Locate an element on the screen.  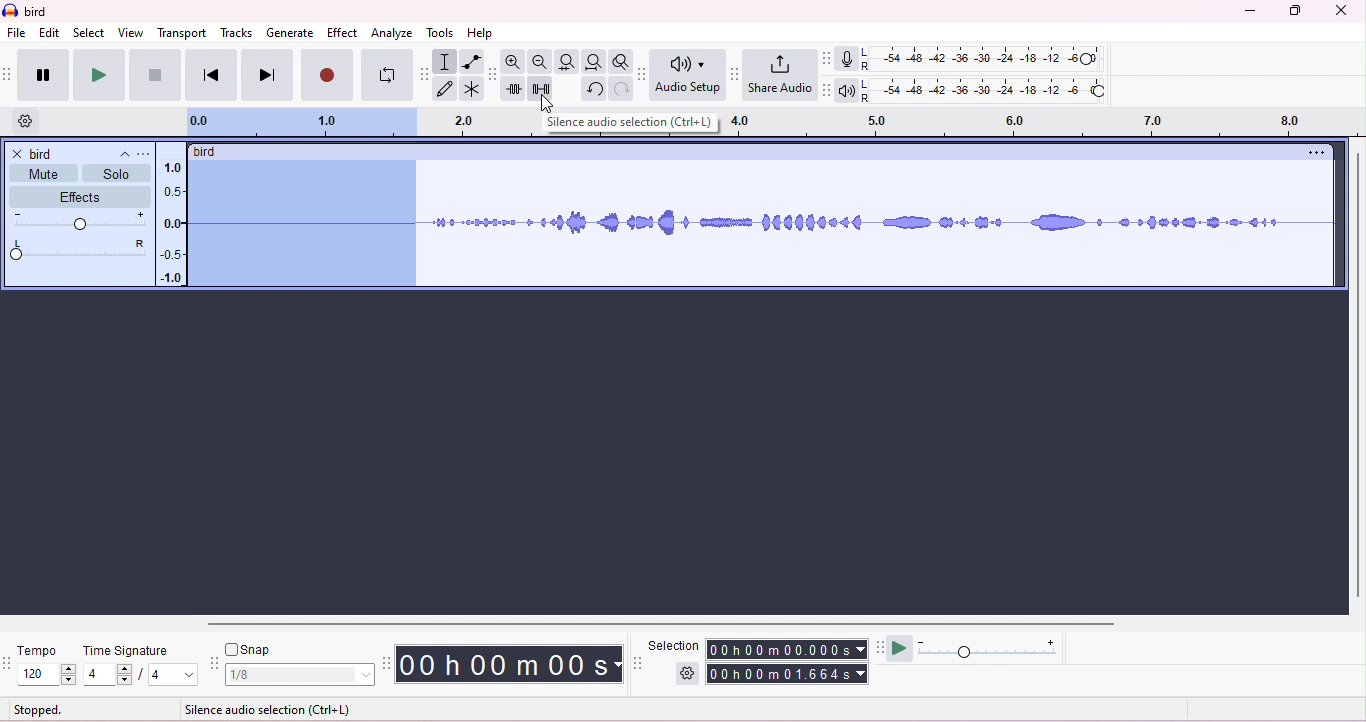
recording level is located at coordinates (997, 59).